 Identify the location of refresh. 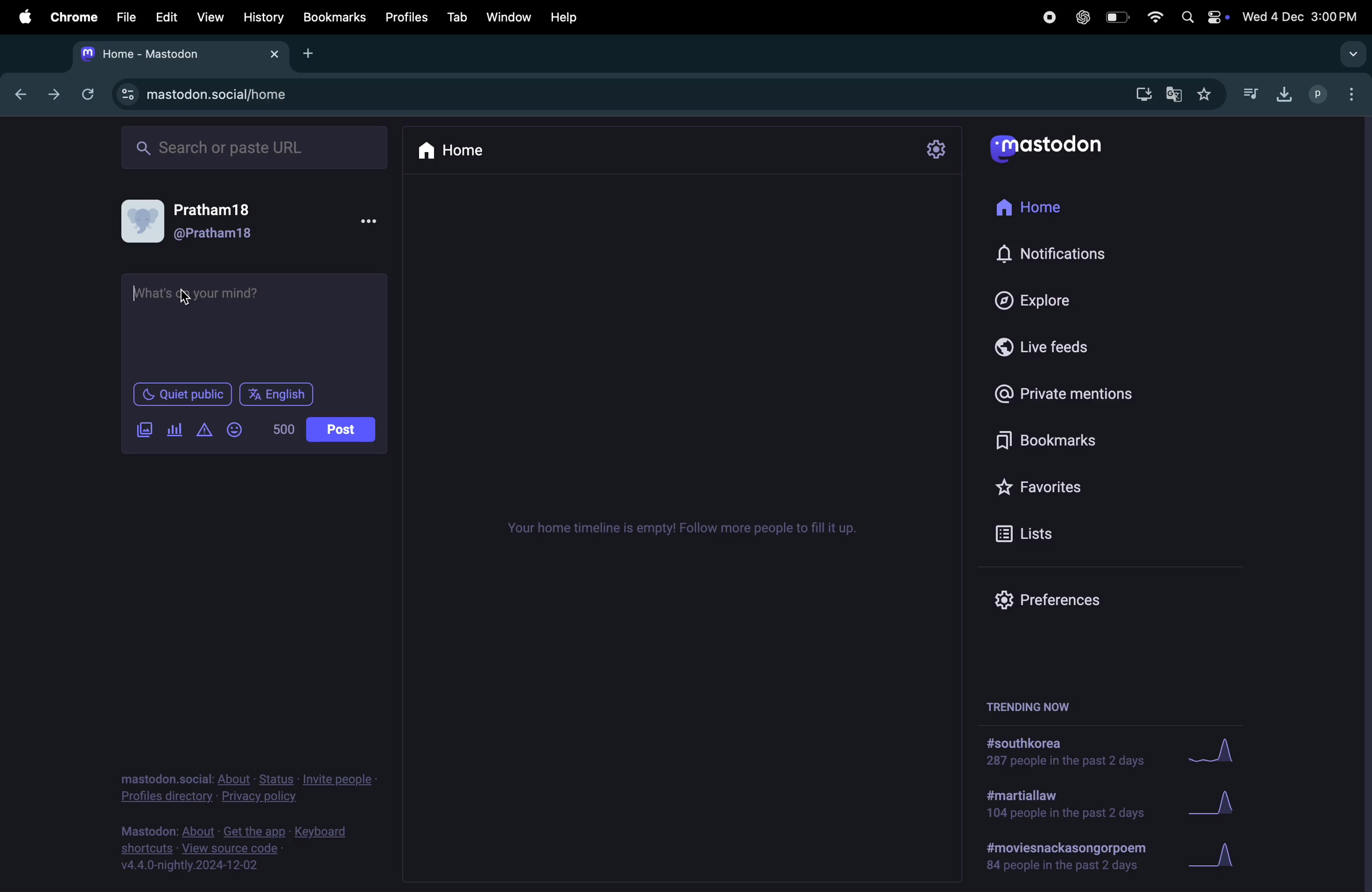
(87, 95).